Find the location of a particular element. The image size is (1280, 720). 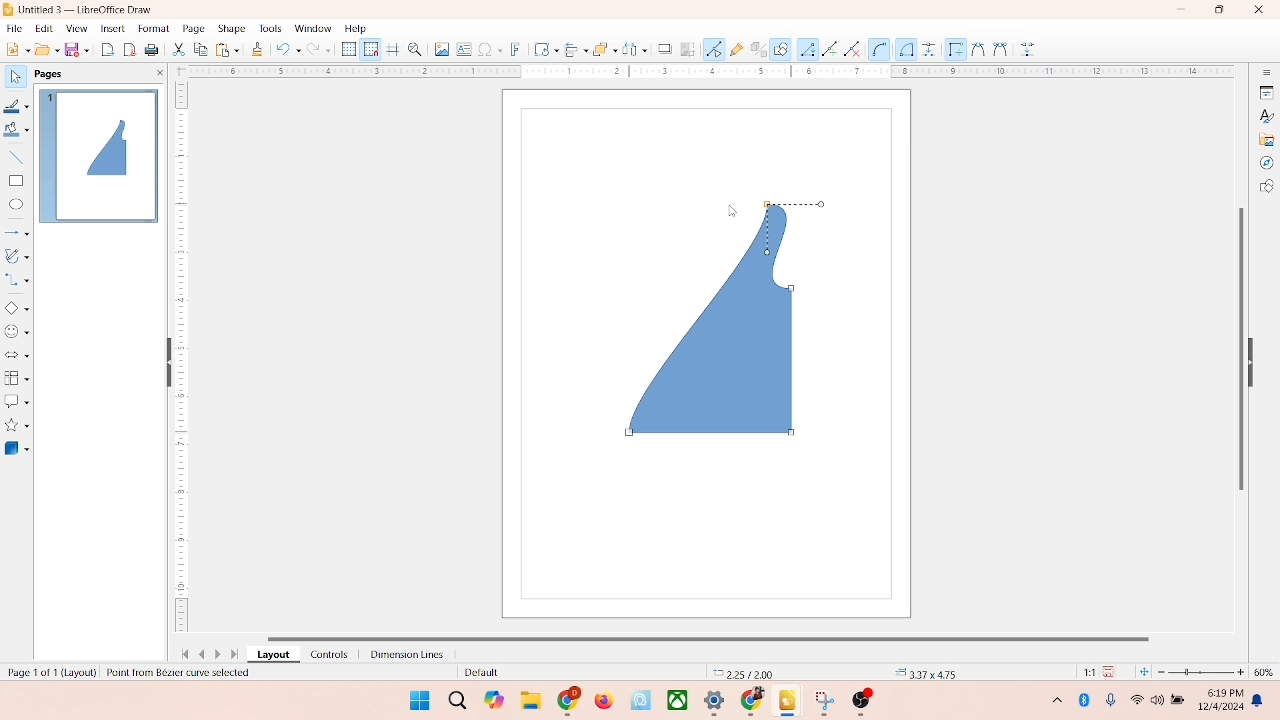

shape is located at coordinates (721, 321).